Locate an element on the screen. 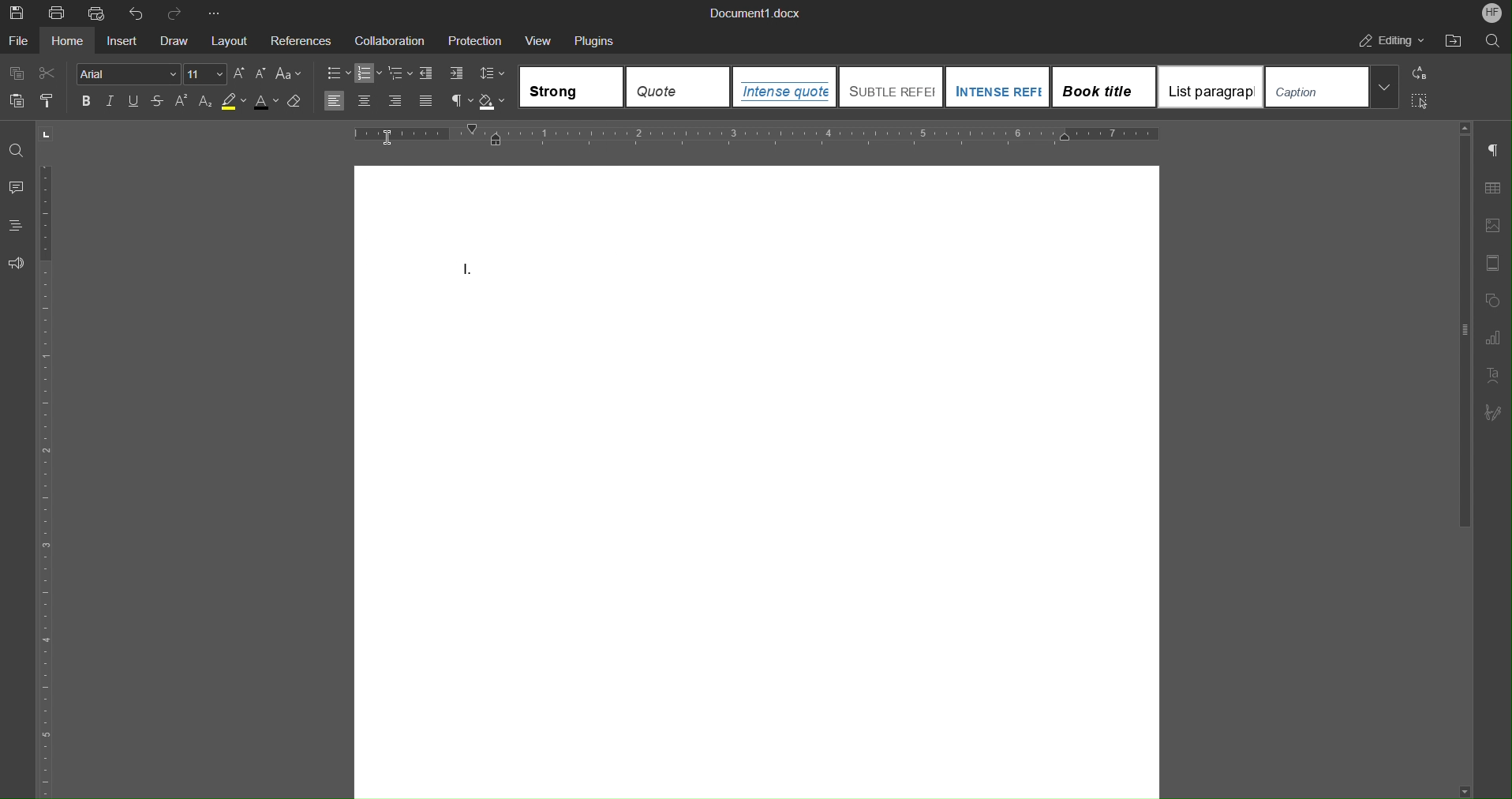 This screenshot has height=799, width=1512. Draw is located at coordinates (174, 41).